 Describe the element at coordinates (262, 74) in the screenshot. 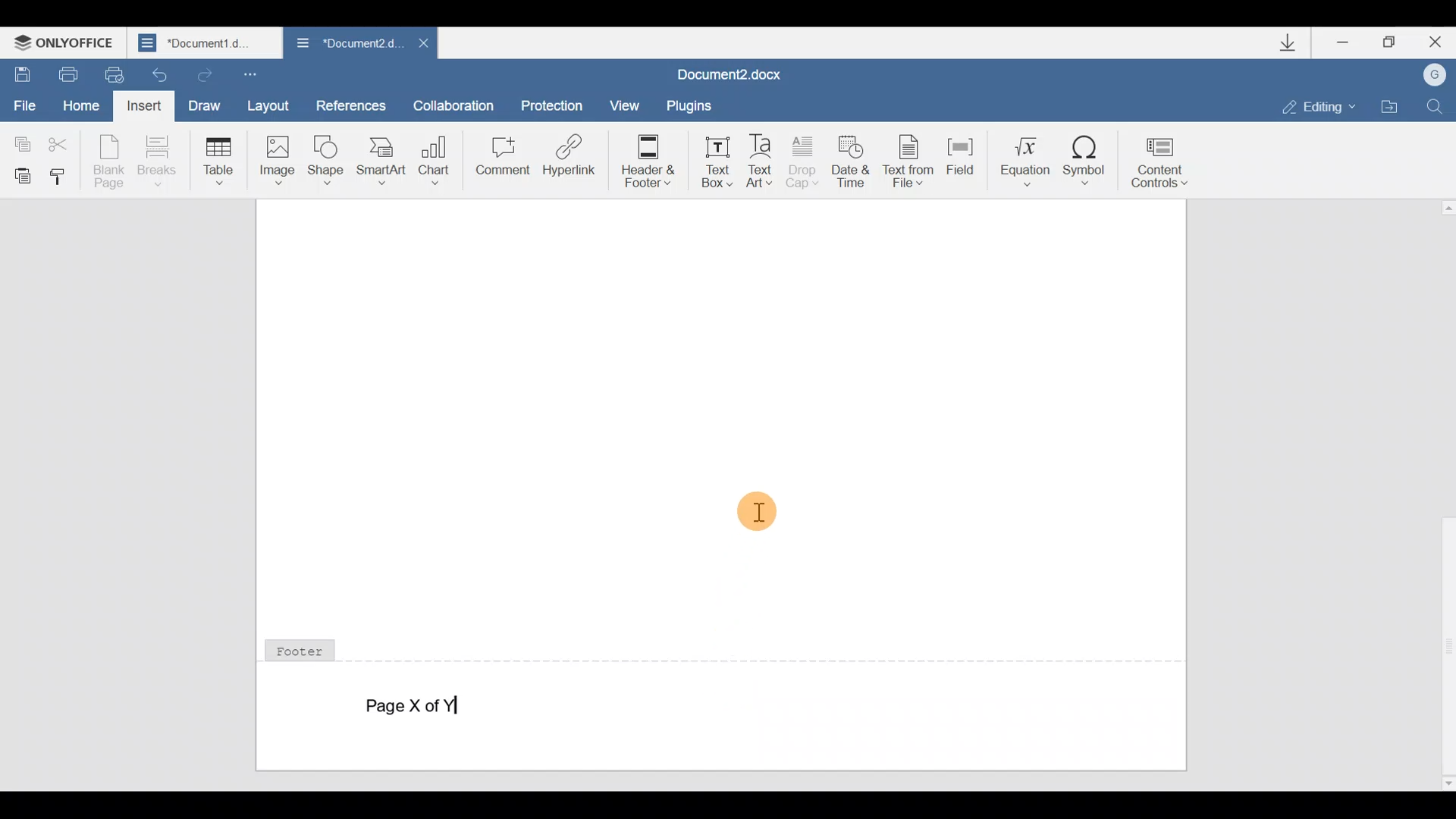

I see `Customize quick access toolbar` at that location.